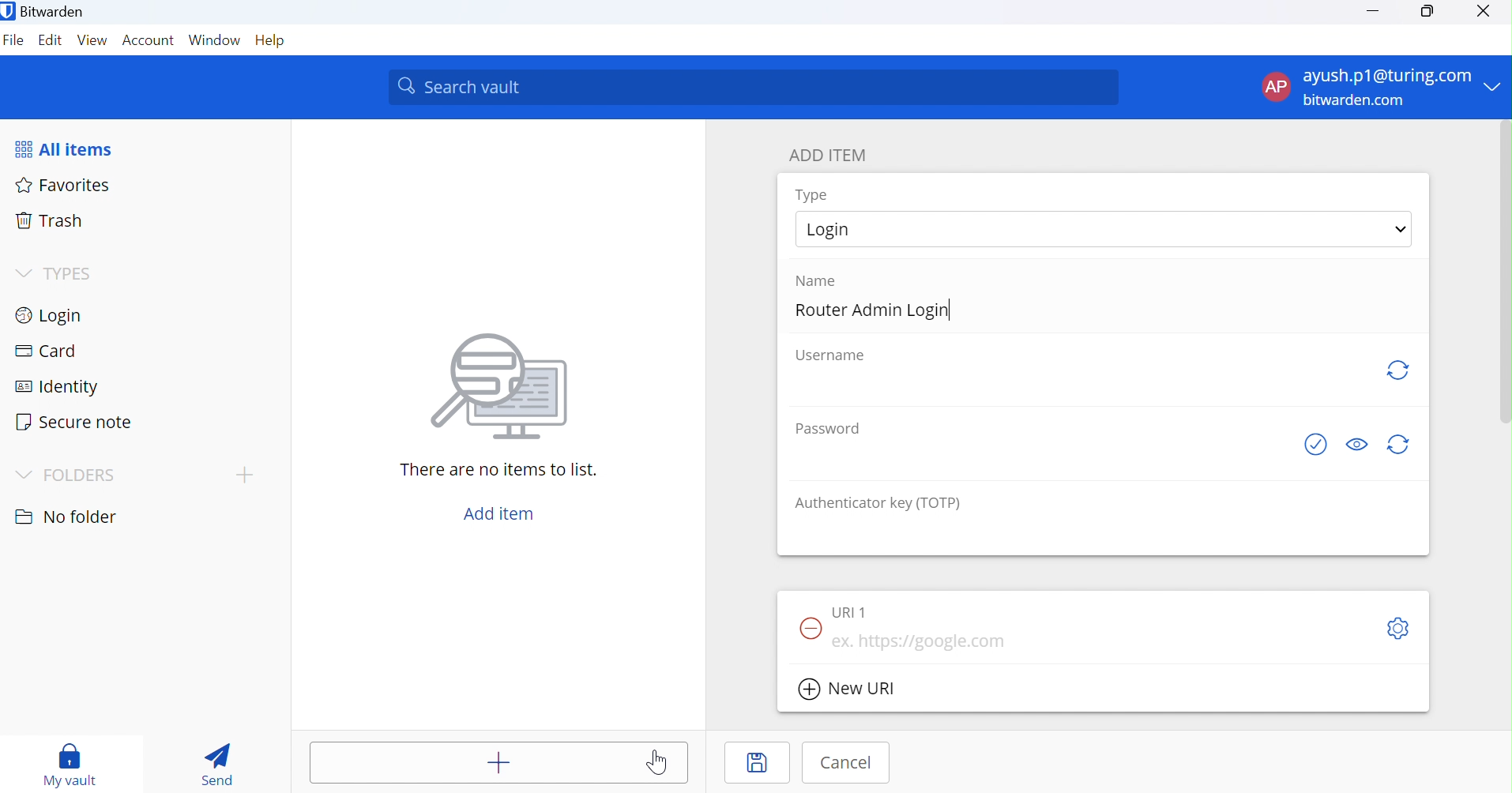 This screenshot has height=793, width=1512. What do you see at coordinates (1104, 228) in the screenshot?
I see `select Login type` at bounding box center [1104, 228].